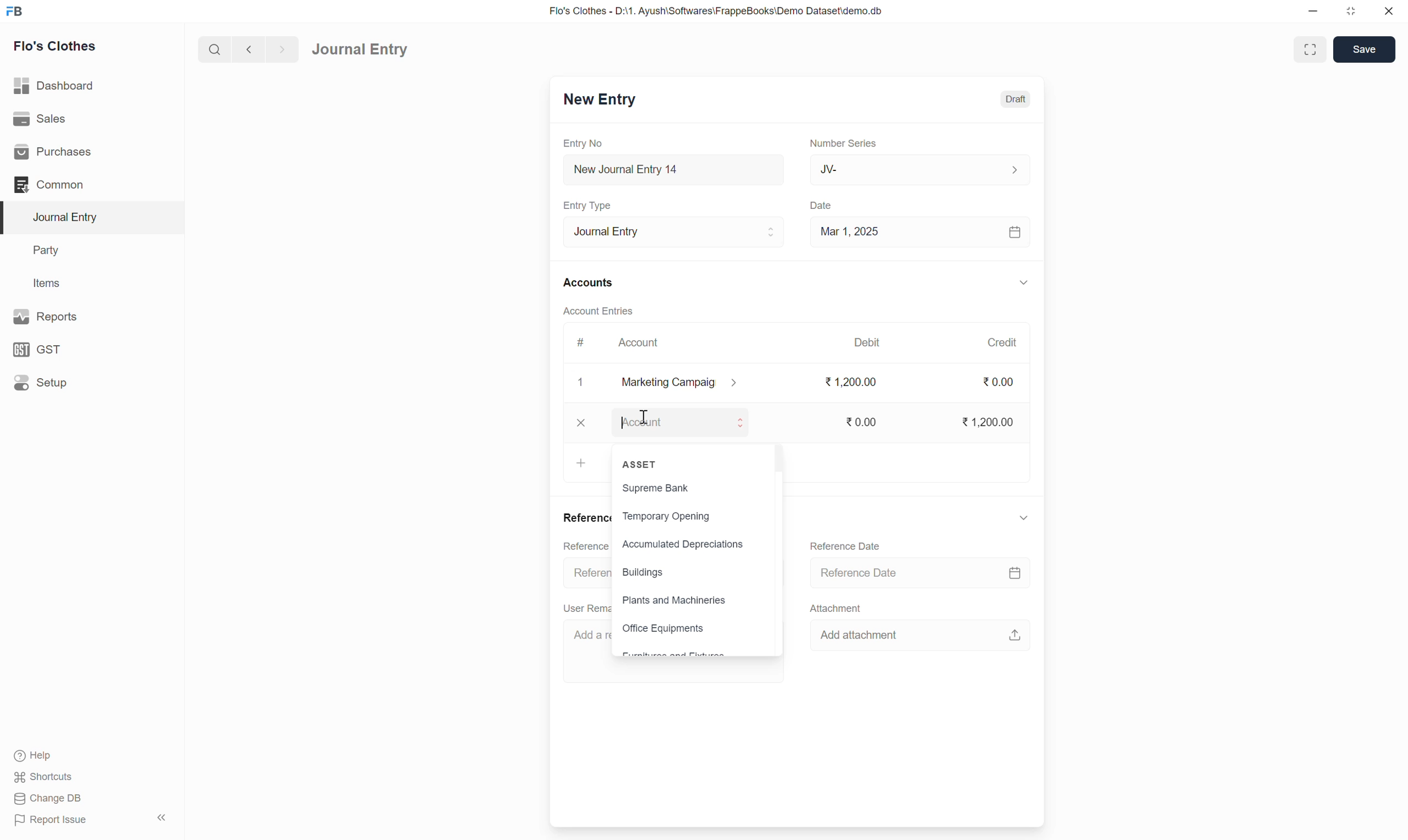 Image resolution: width=1408 pixels, height=840 pixels. I want to click on search, so click(213, 49).